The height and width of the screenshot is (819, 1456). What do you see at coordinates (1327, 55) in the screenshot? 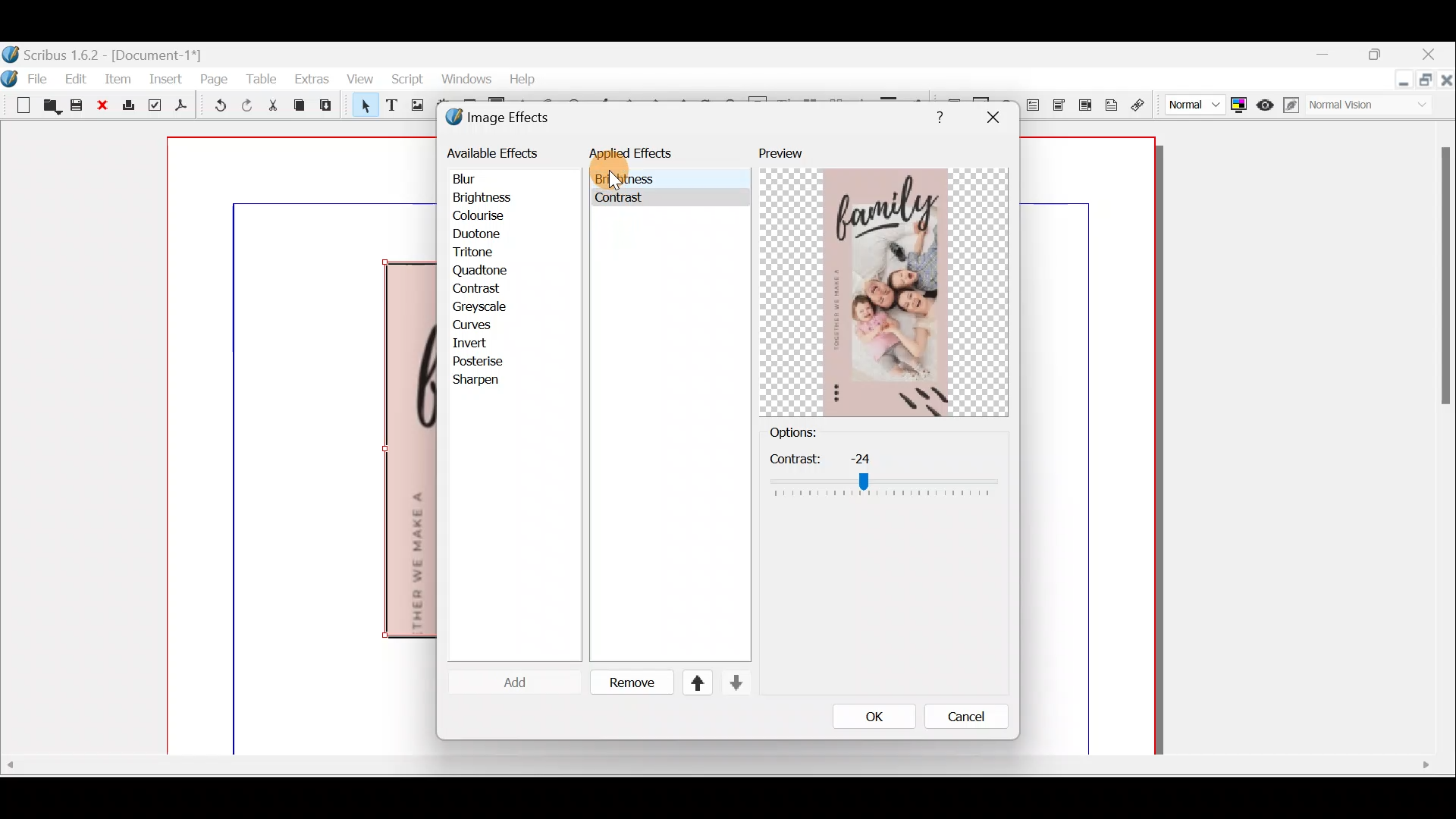
I see `Minimise` at bounding box center [1327, 55].